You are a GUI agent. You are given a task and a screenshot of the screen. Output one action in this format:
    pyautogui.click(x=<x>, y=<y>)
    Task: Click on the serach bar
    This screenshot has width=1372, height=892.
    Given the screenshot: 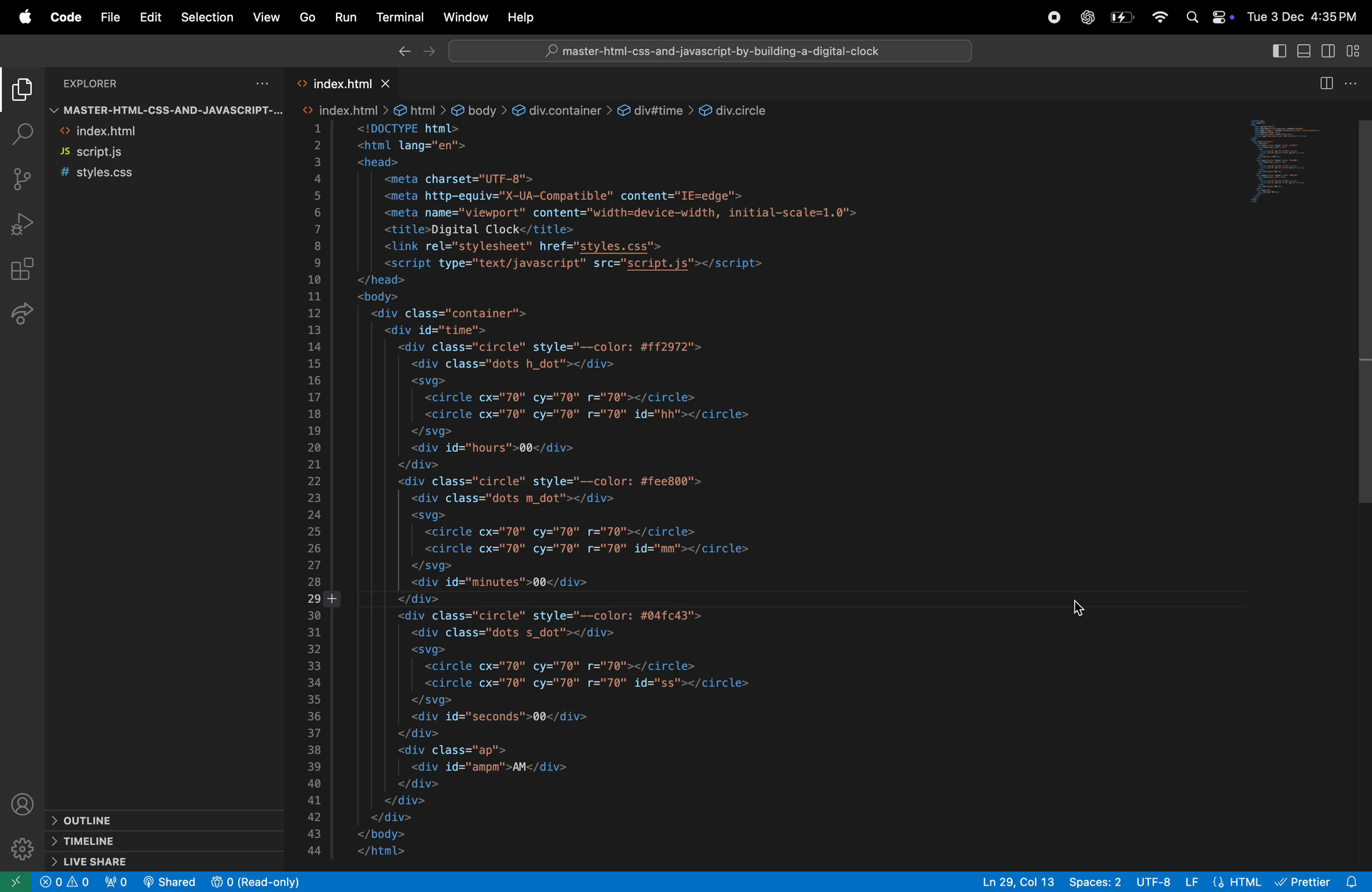 What is the action you would take?
    pyautogui.click(x=712, y=52)
    